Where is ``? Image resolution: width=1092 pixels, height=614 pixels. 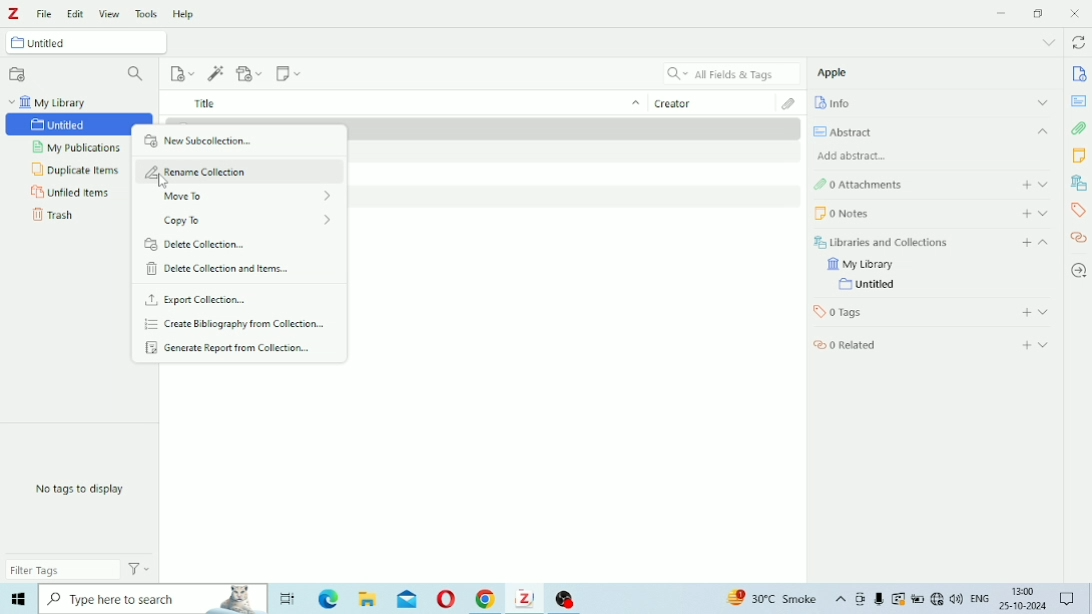
 is located at coordinates (878, 599).